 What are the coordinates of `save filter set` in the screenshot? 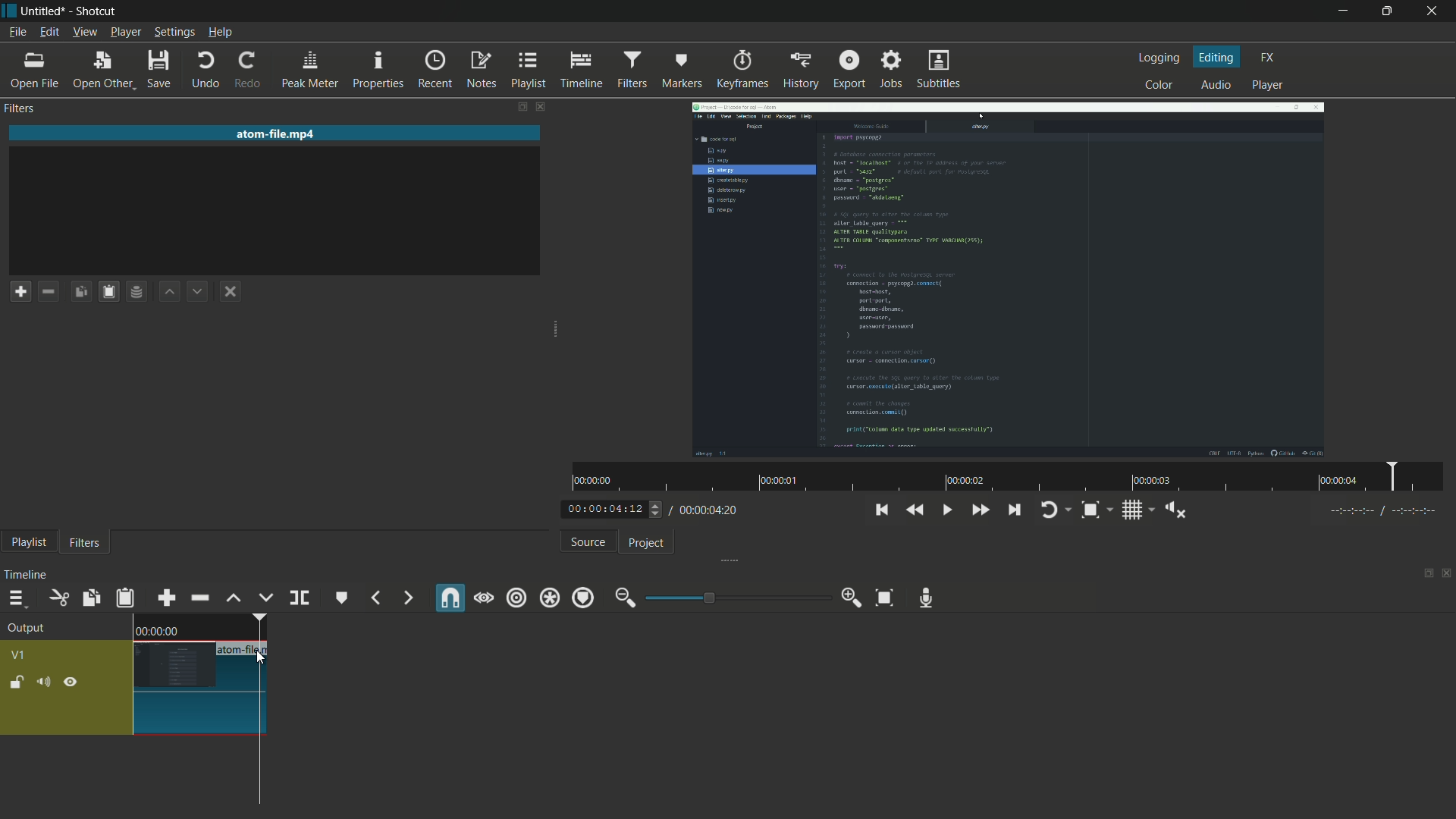 It's located at (135, 291).